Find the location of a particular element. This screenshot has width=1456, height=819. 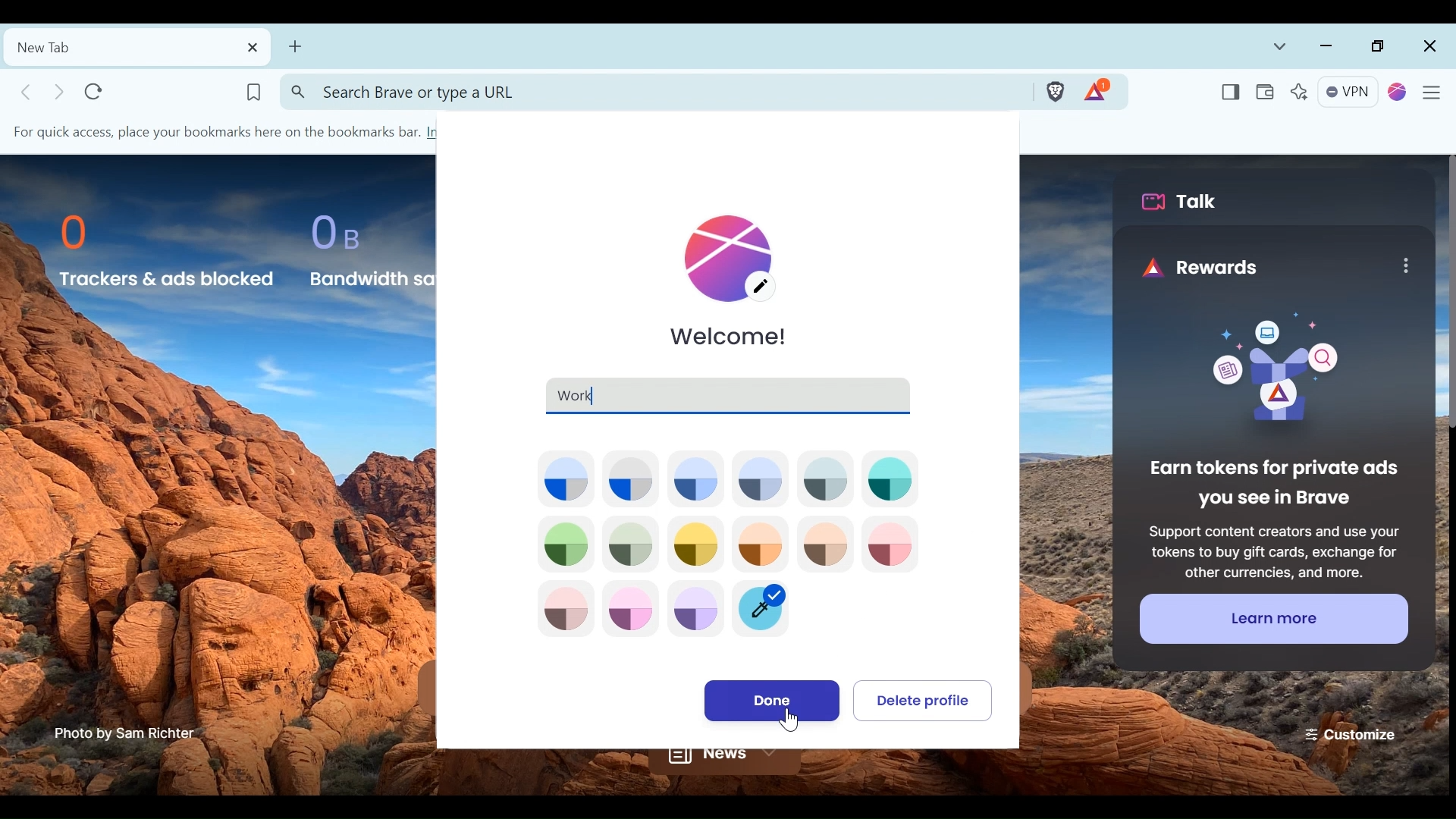

more options is located at coordinates (1404, 265).